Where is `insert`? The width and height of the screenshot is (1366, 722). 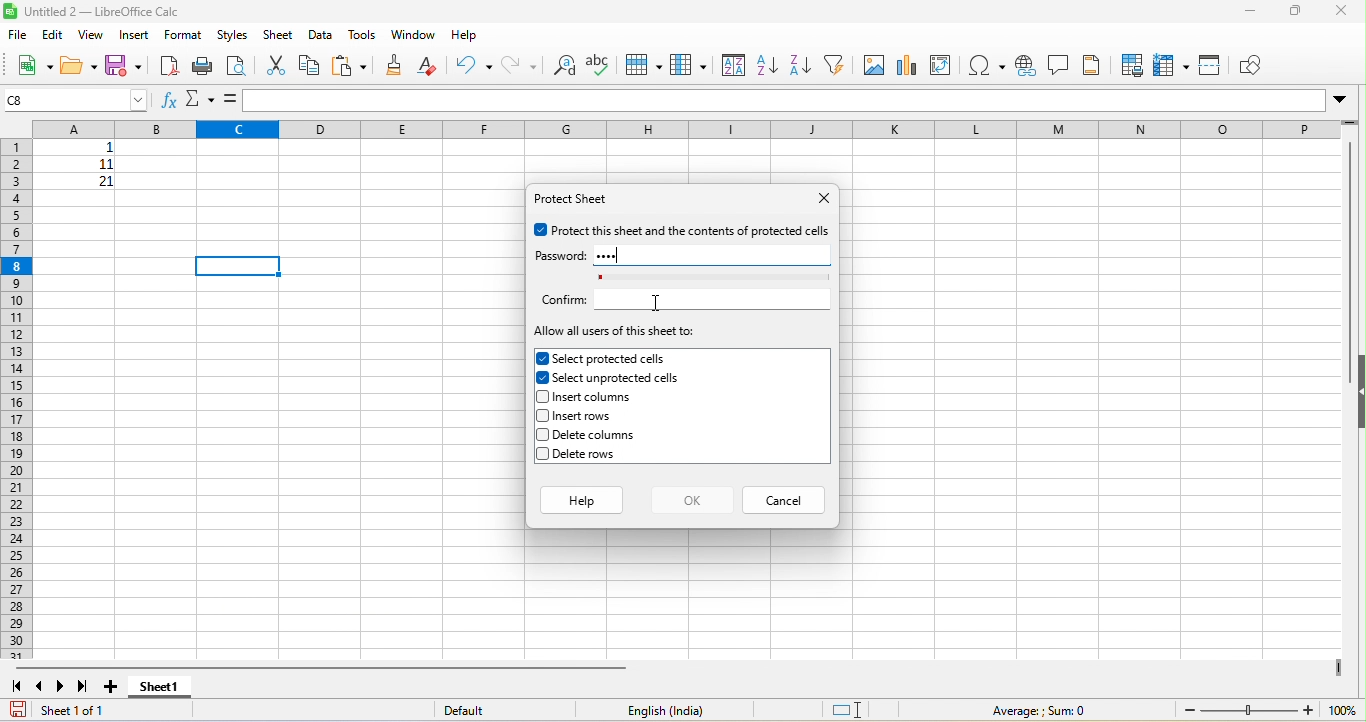 insert is located at coordinates (135, 35).